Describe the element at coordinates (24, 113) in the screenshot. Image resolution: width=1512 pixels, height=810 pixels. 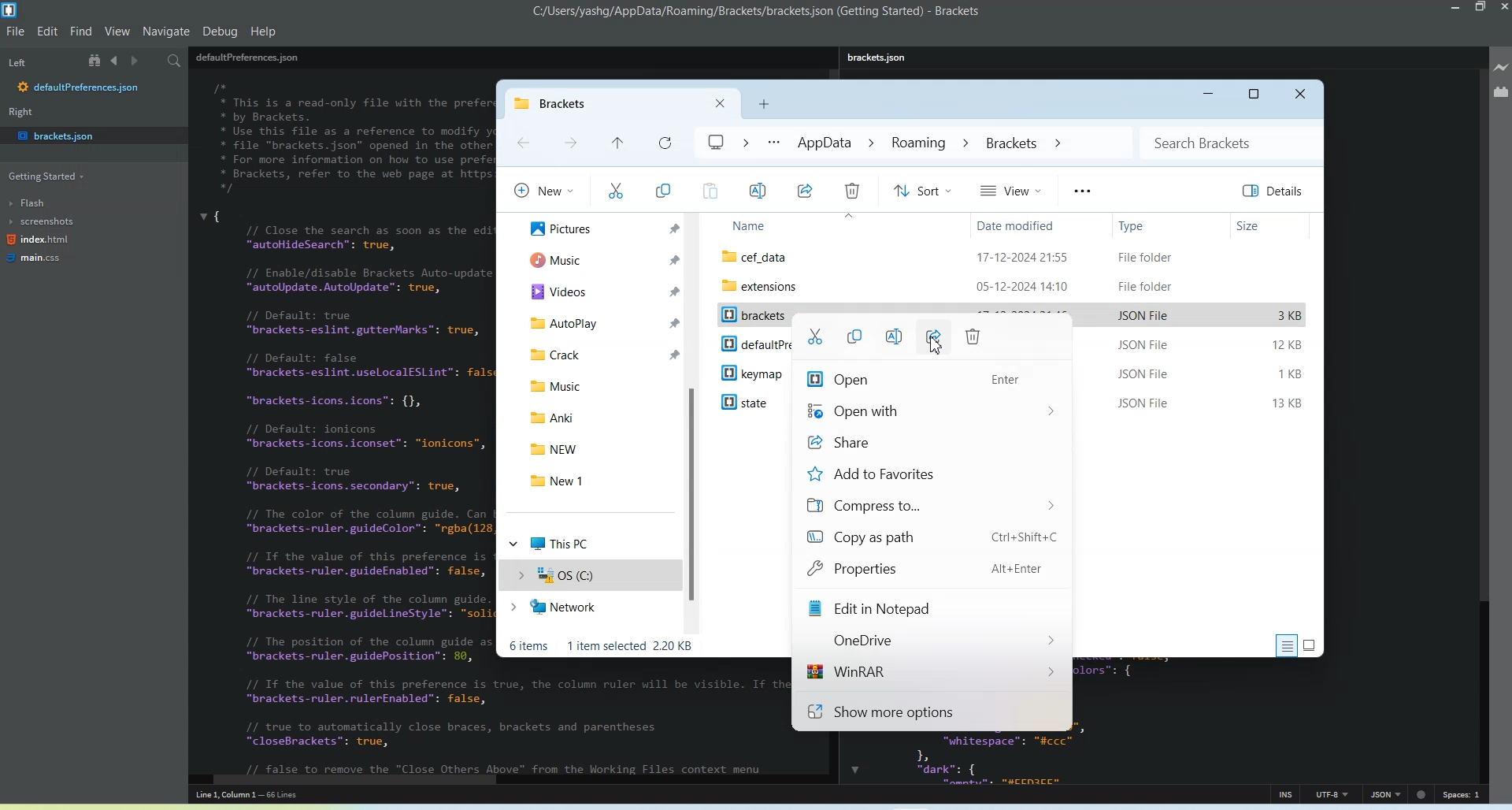
I see `Right window` at that location.